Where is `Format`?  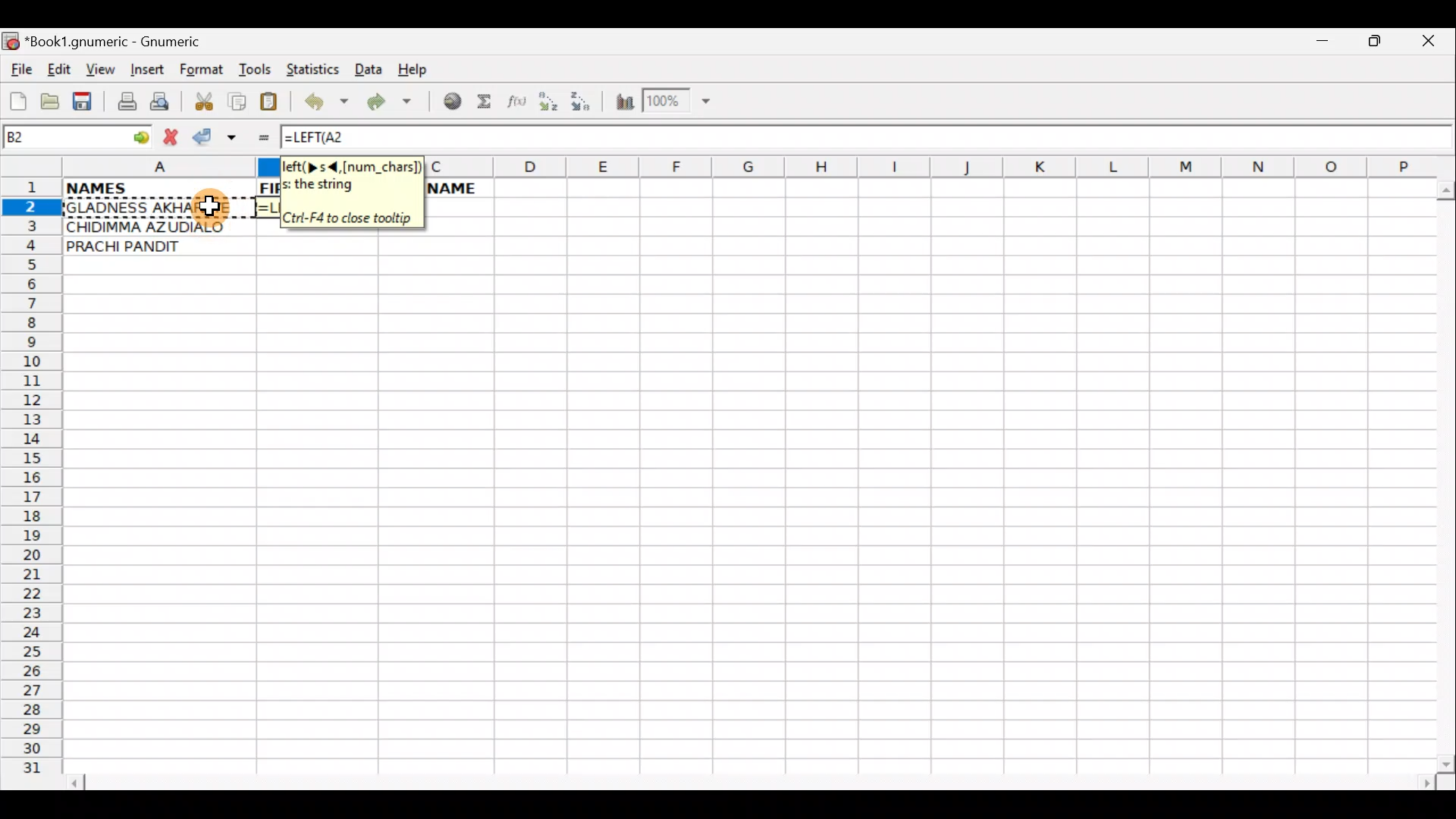 Format is located at coordinates (205, 71).